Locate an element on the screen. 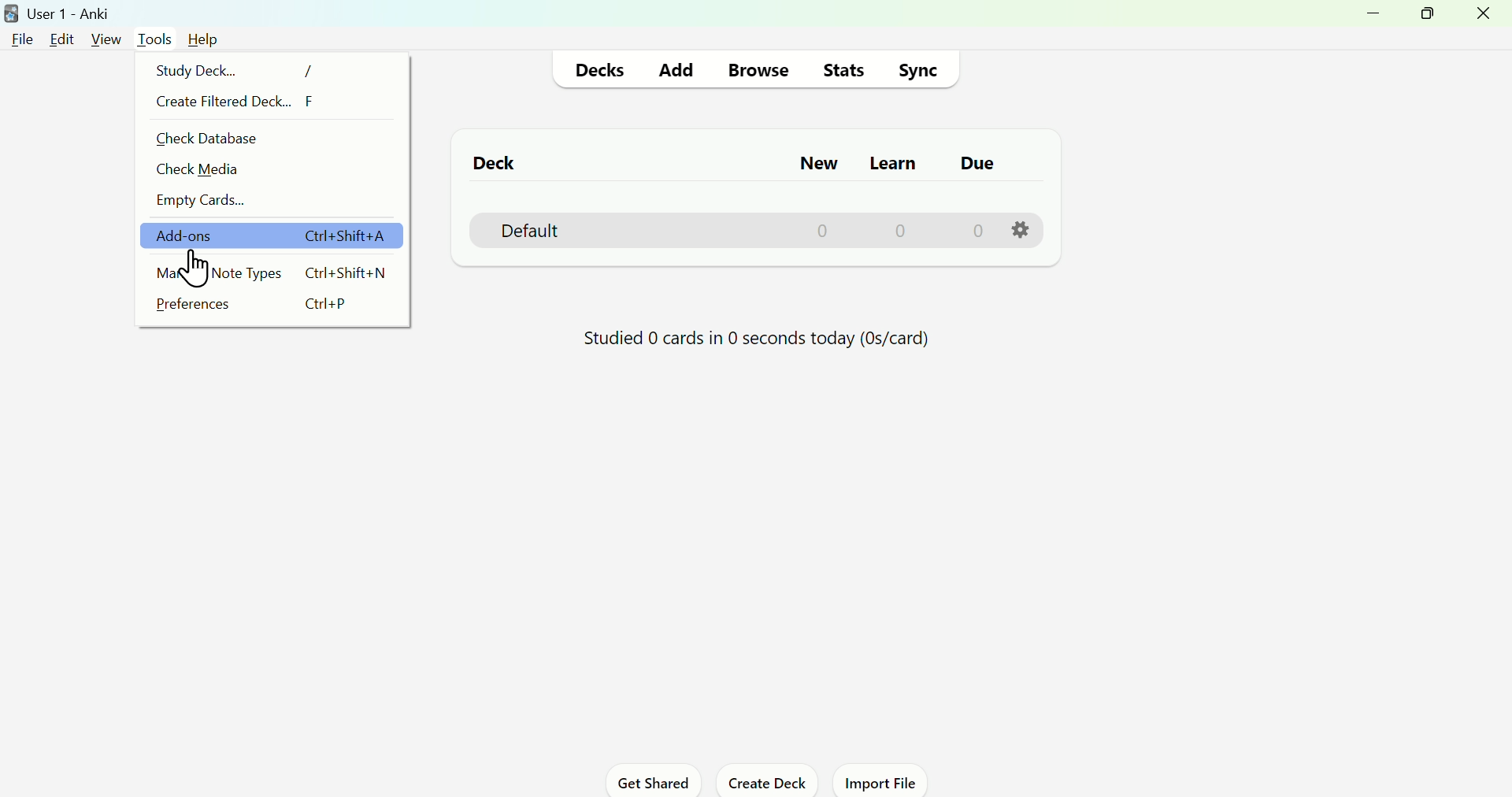  0 is located at coordinates (822, 229).